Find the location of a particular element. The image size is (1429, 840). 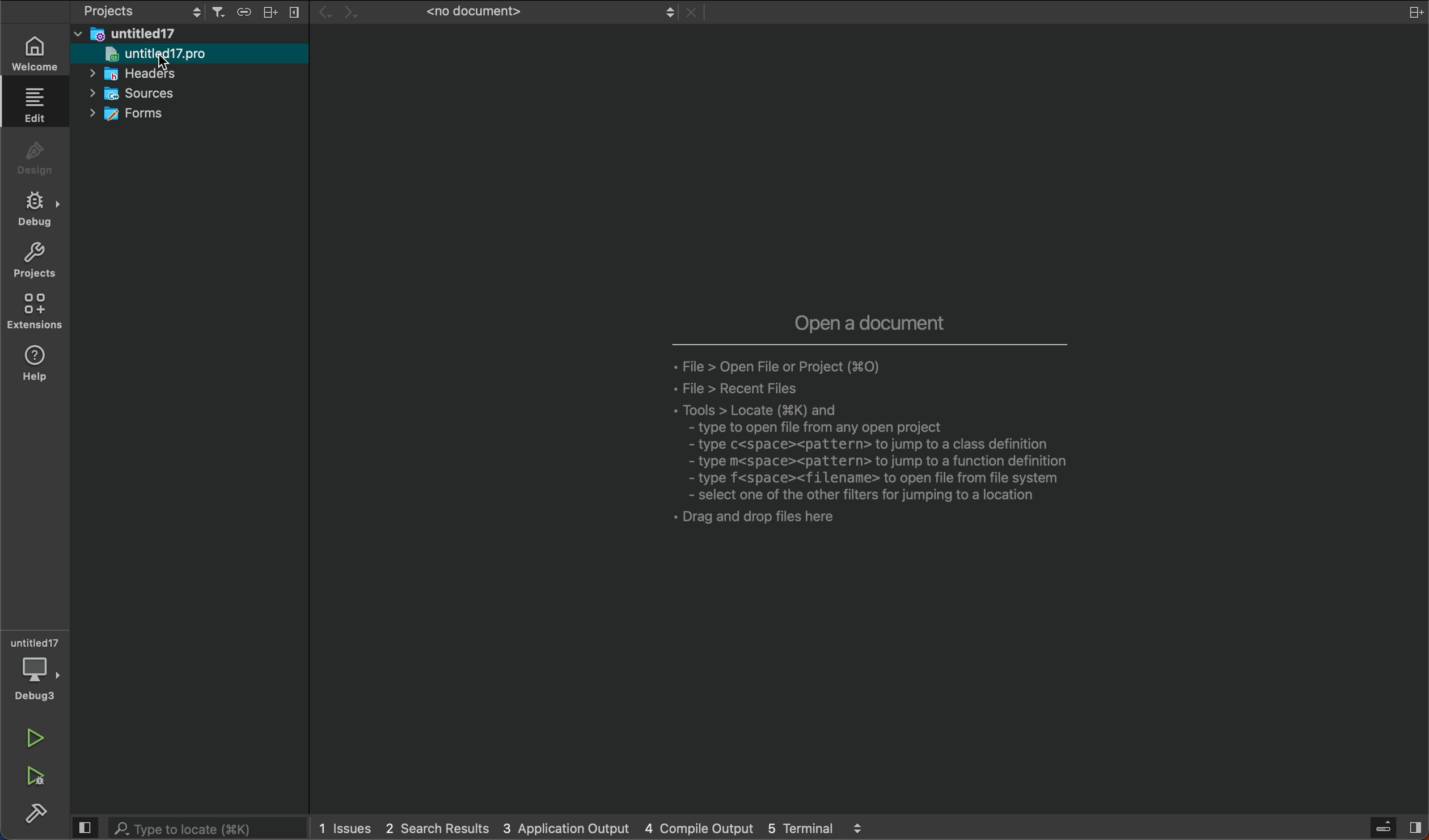

2 search result is located at coordinates (439, 828).